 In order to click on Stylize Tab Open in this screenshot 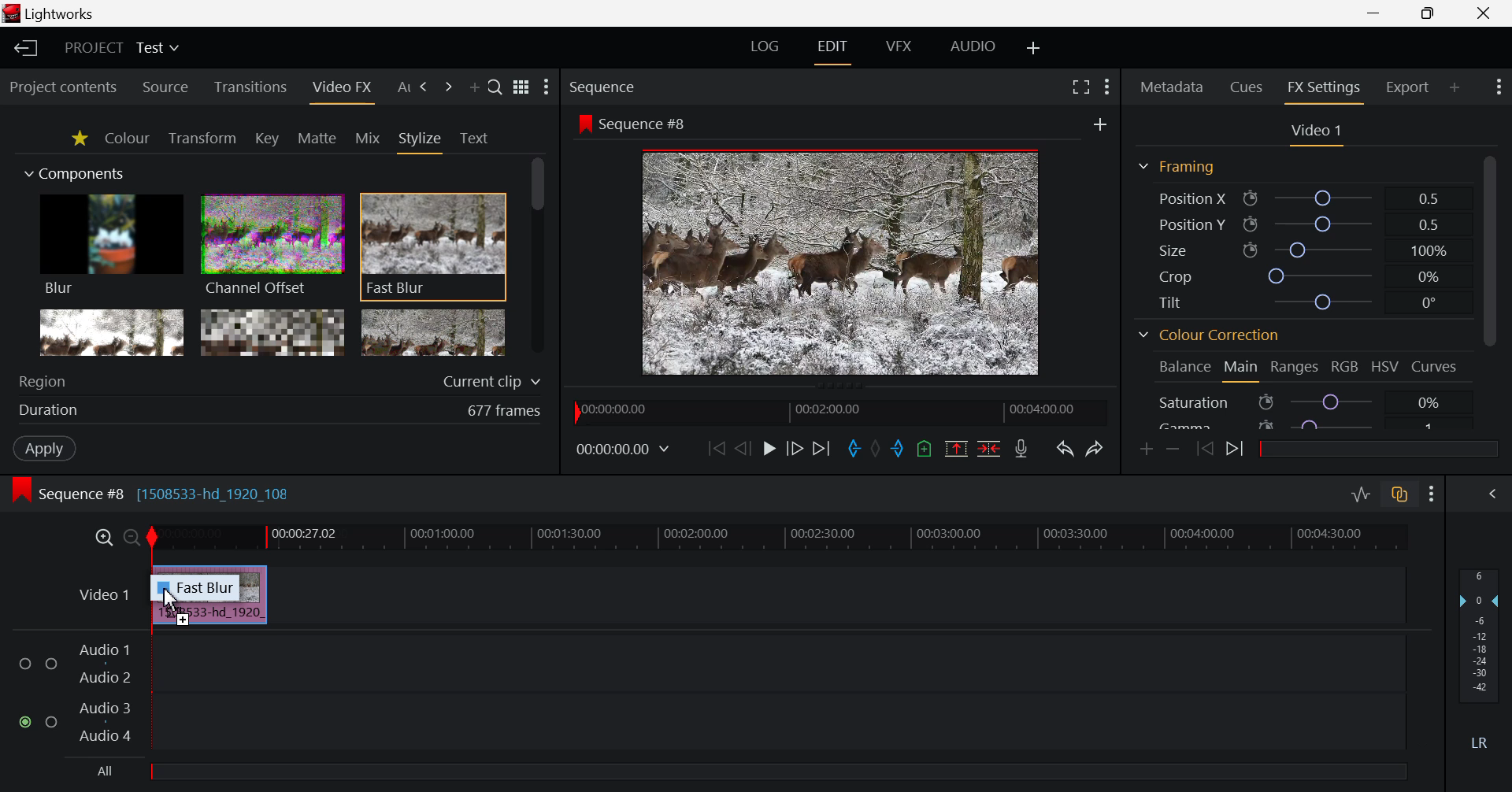, I will do `click(420, 139)`.